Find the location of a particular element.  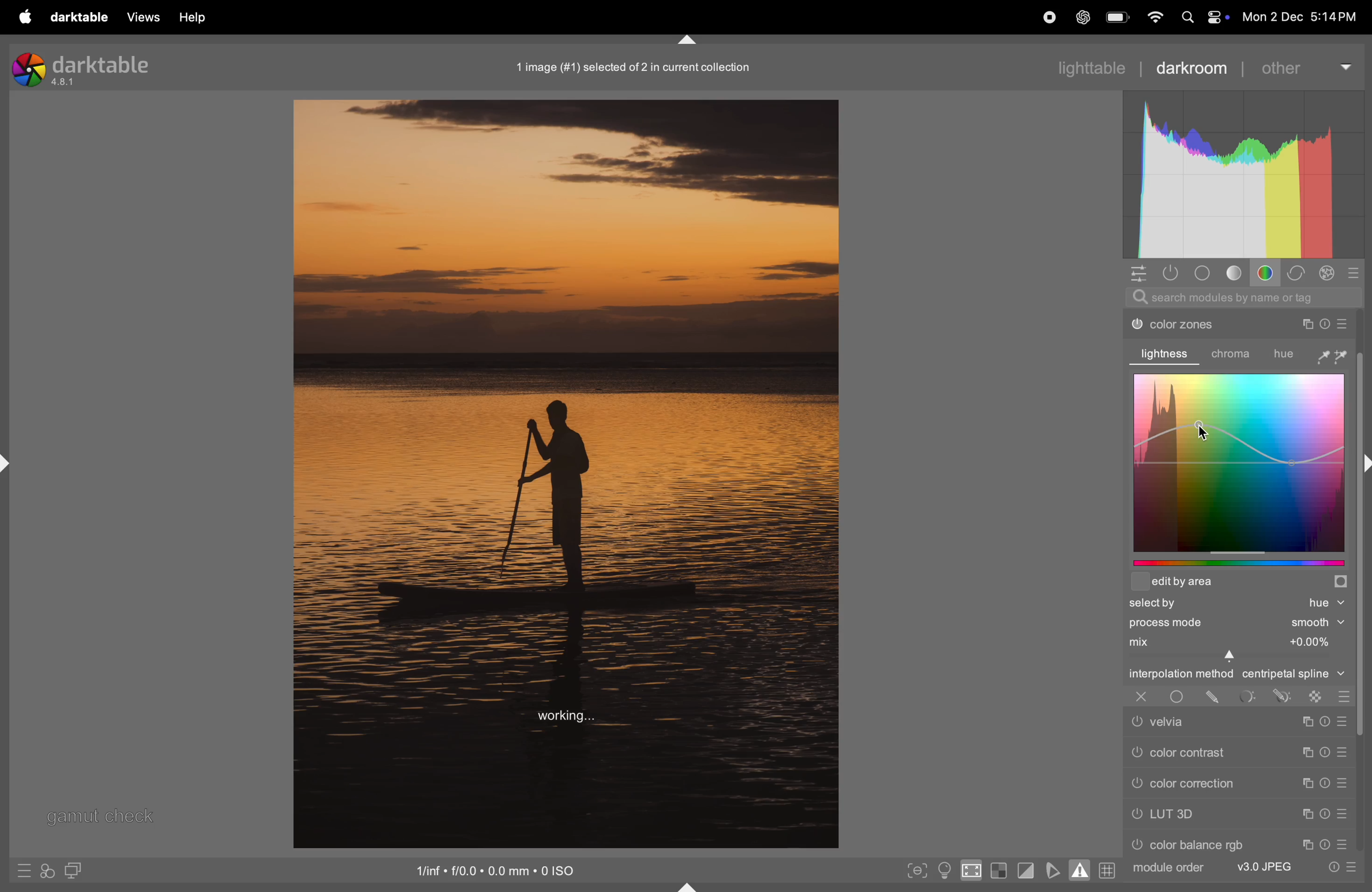

 is located at coordinates (1266, 272).